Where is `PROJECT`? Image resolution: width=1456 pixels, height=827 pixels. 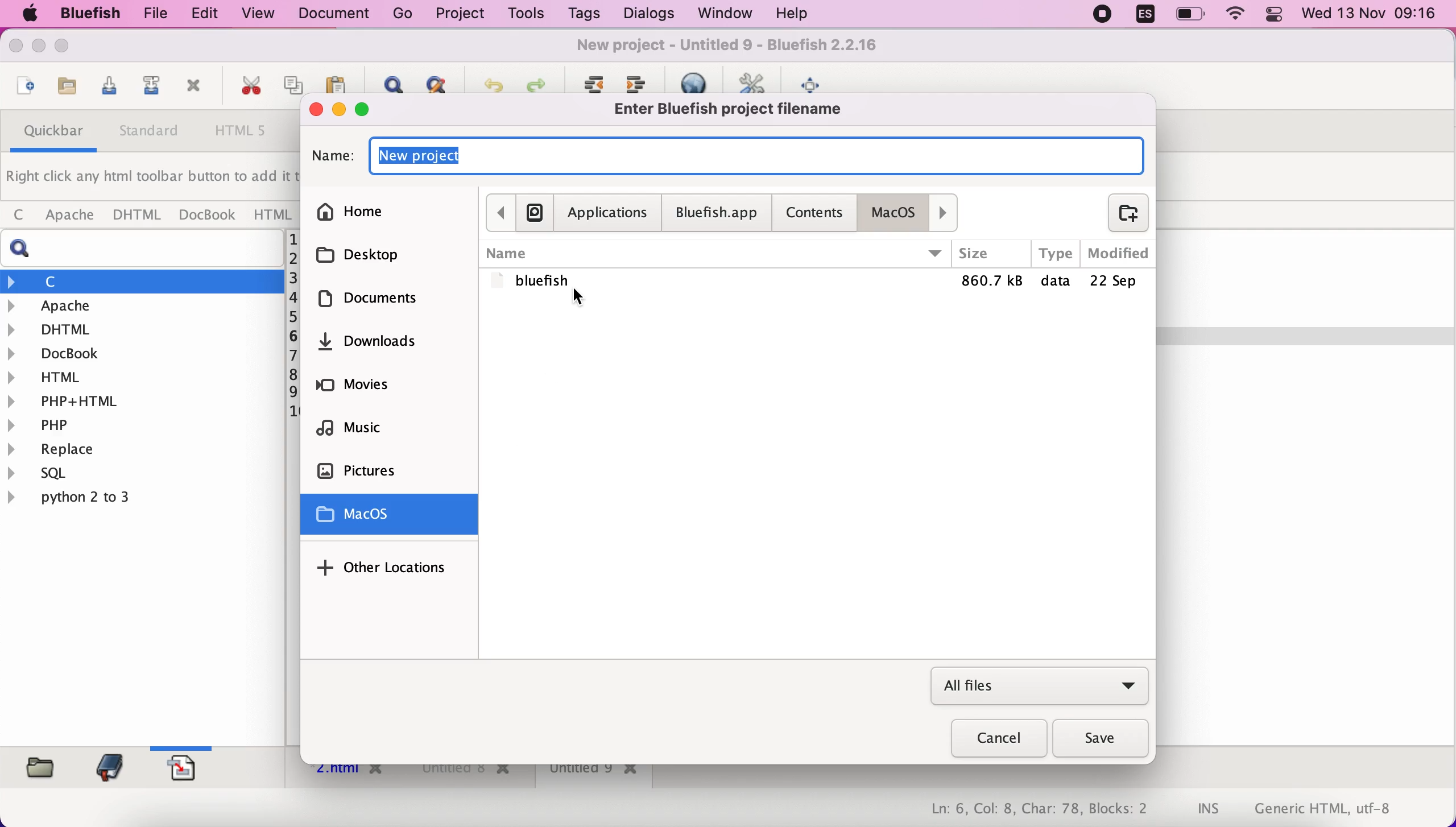 PROJECT is located at coordinates (459, 14).